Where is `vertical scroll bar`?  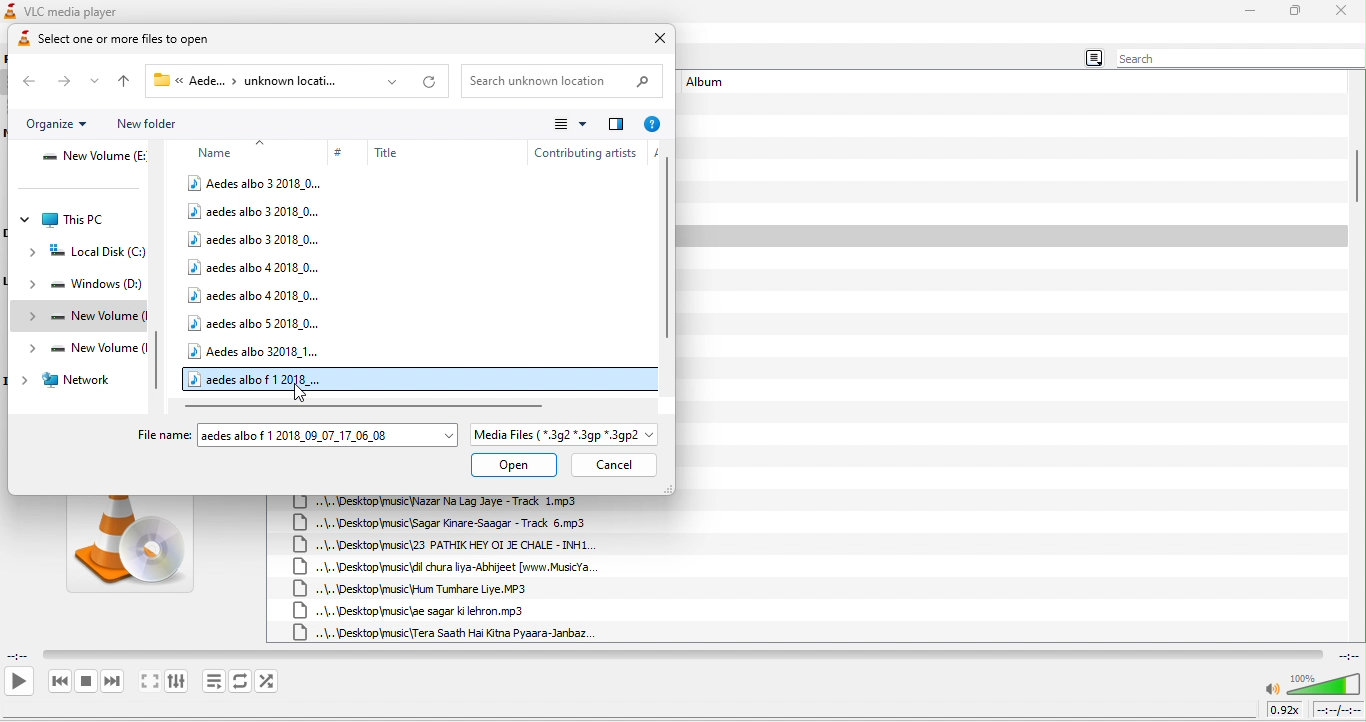
vertical scroll bar is located at coordinates (161, 364).